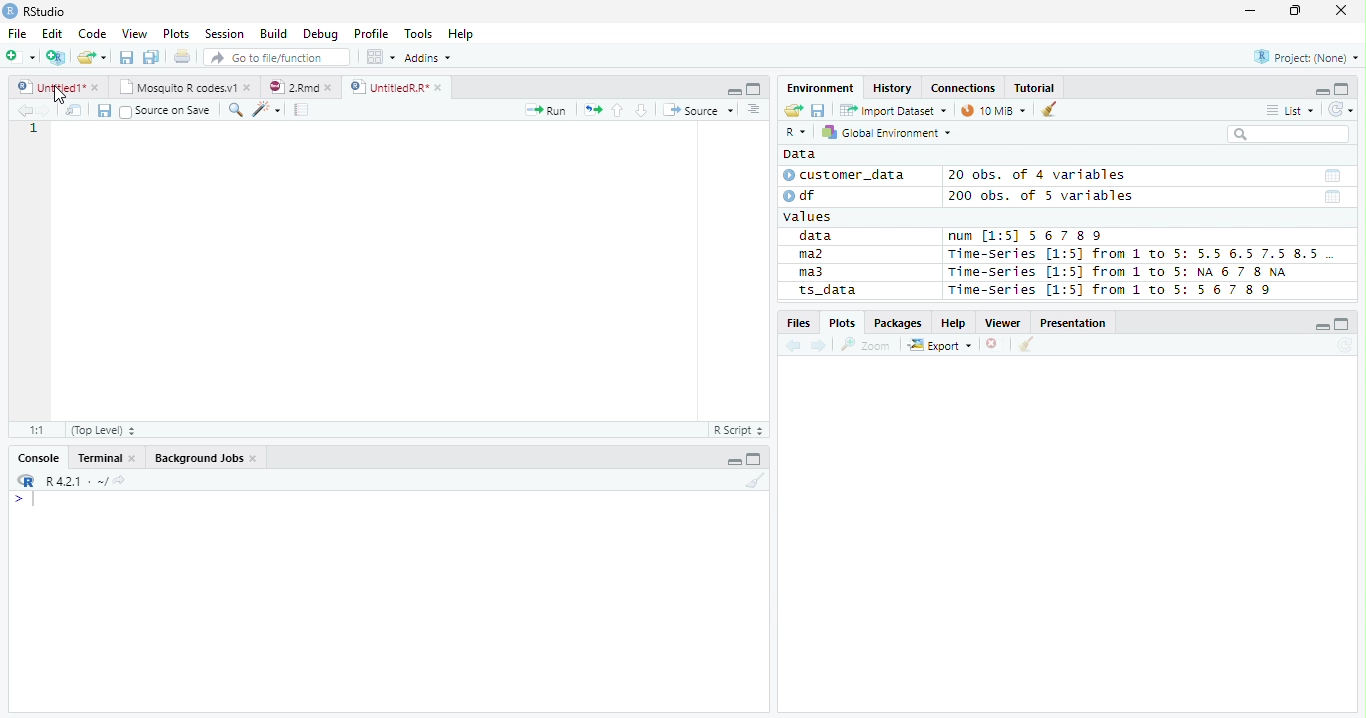 Image resolution: width=1366 pixels, height=718 pixels. I want to click on Save, so click(818, 109).